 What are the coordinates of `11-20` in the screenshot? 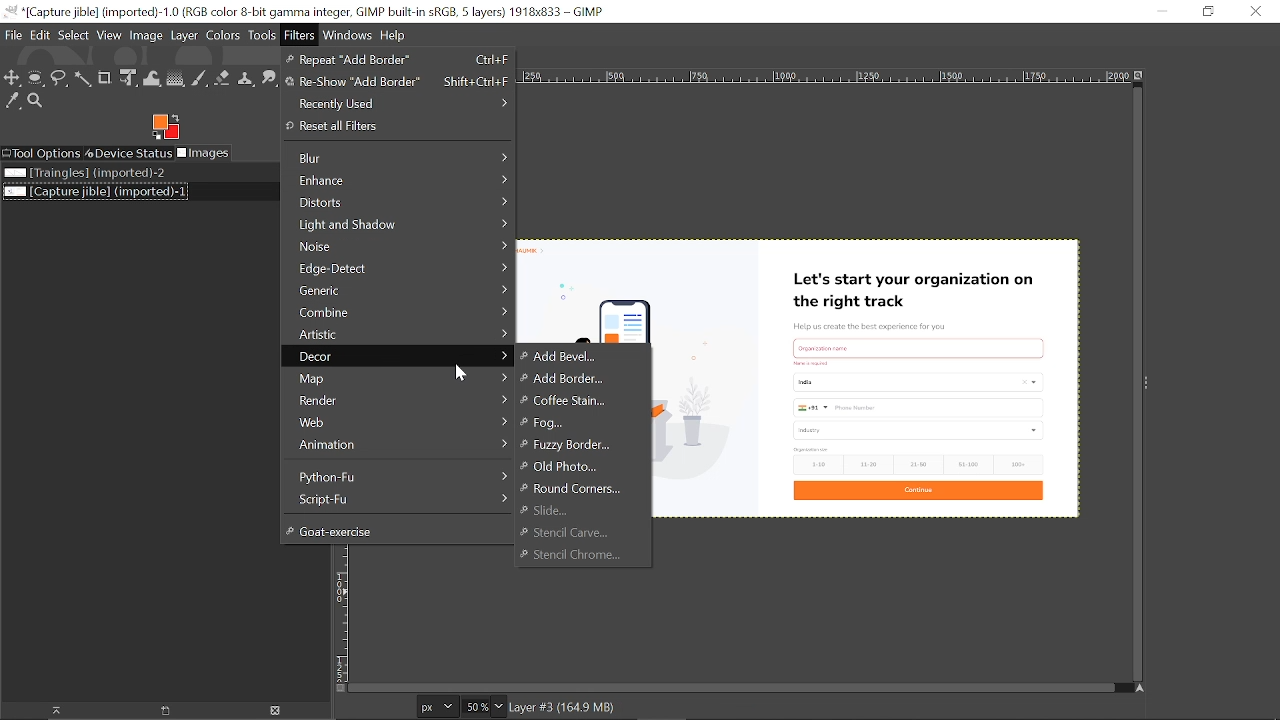 It's located at (871, 464).